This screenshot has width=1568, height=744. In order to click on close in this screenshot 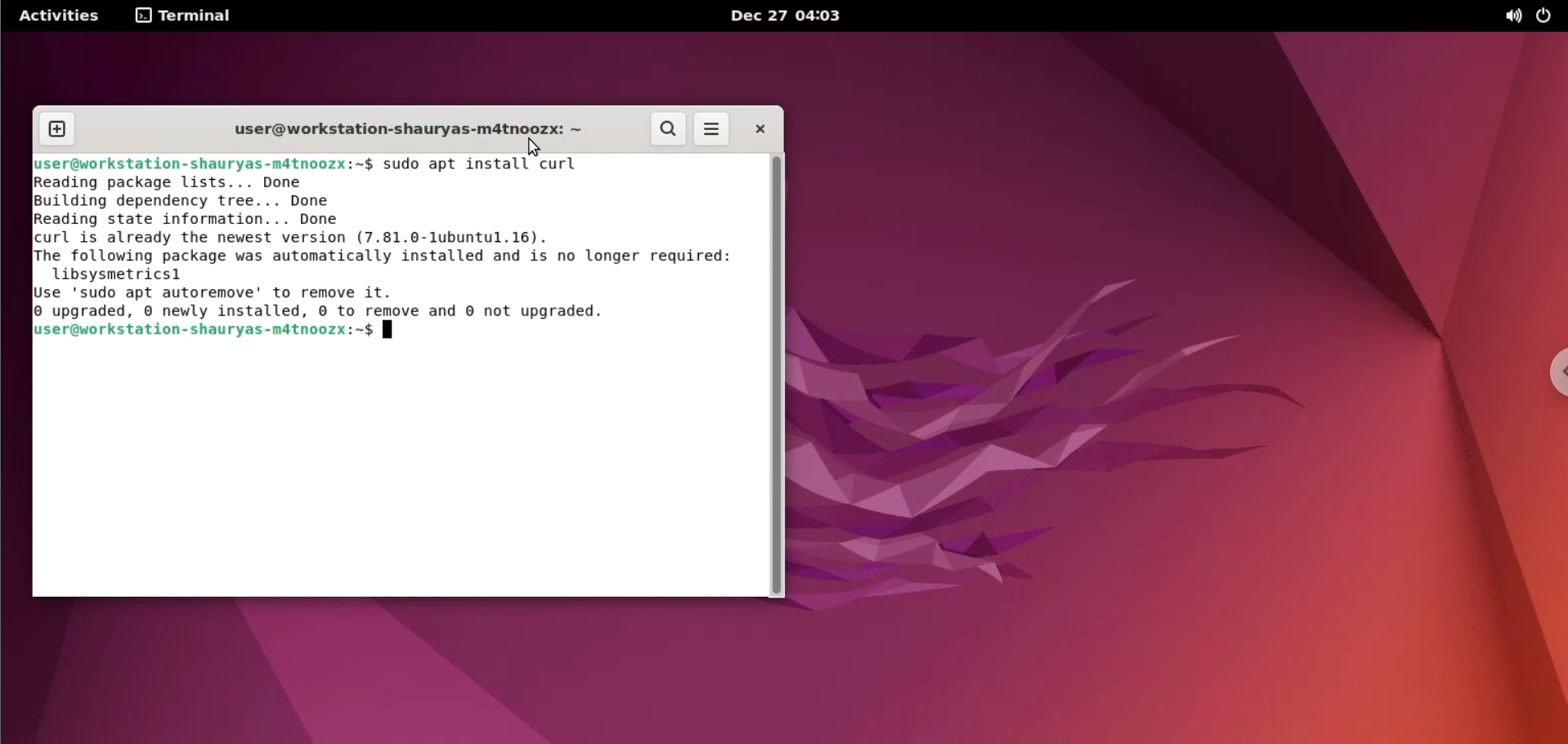, I will do `click(759, 128)`.